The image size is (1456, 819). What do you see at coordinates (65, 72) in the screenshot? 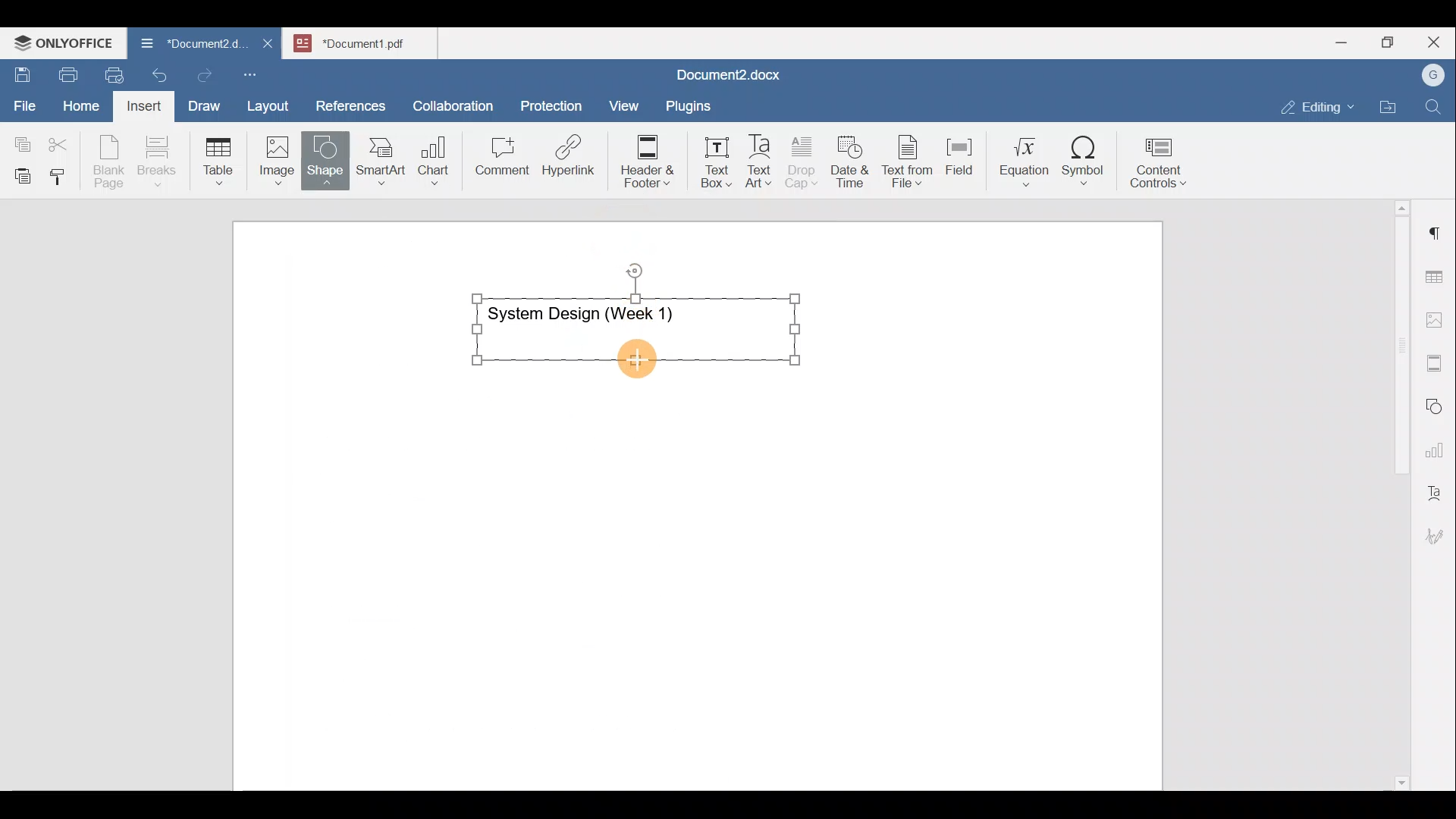
I see `Print file` at bounding box center [65, 72].